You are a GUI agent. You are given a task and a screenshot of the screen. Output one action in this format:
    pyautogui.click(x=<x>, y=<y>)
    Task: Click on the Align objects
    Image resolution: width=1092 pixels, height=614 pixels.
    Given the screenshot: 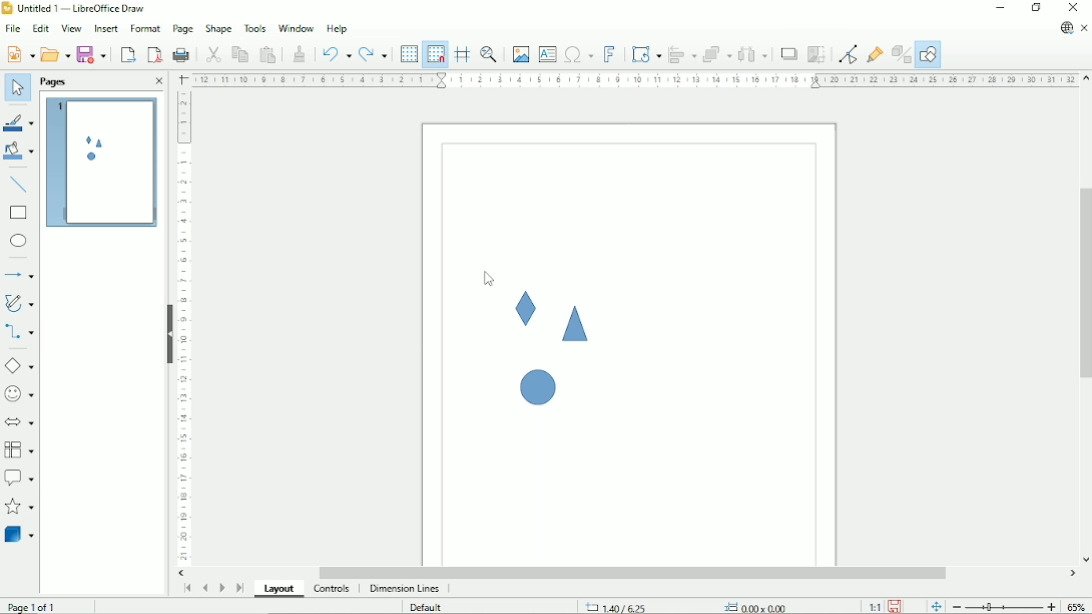 What is the action you would take?
    pyautogui.click(x=682, y=54)
    